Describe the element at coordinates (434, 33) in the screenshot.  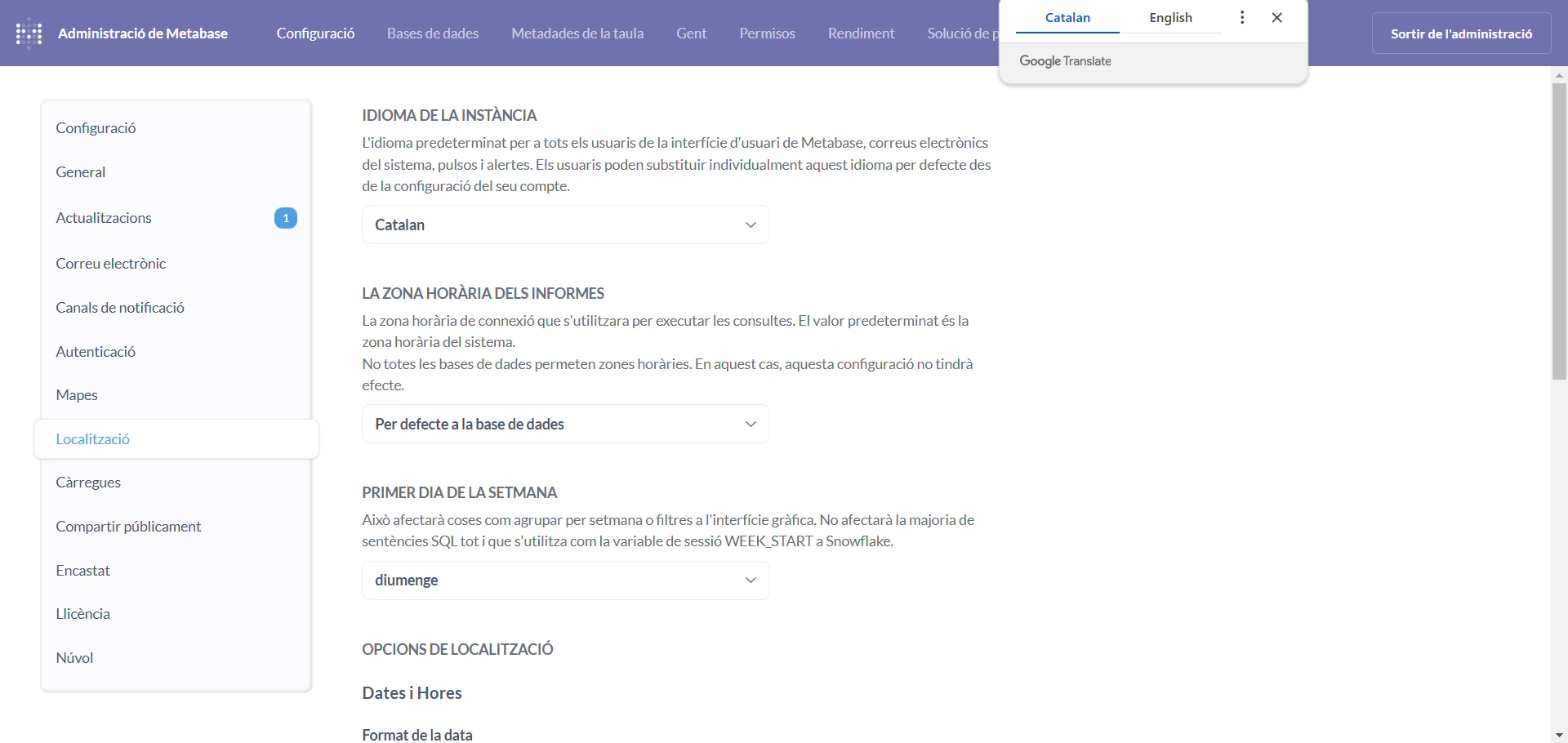
I see `Bases de dades` at that location.